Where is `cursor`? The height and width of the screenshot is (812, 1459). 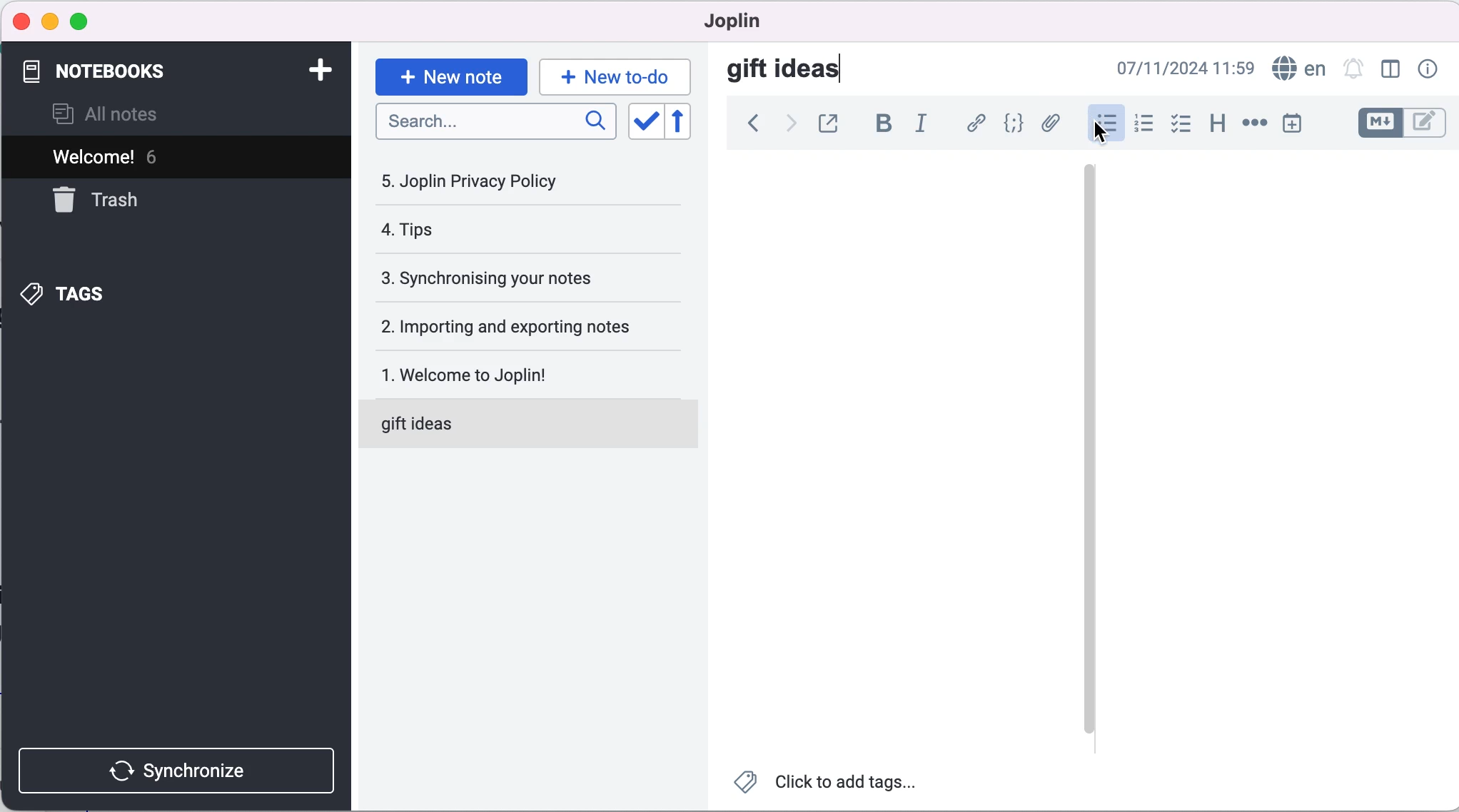 cursor is located at coordinates (1102, 132).